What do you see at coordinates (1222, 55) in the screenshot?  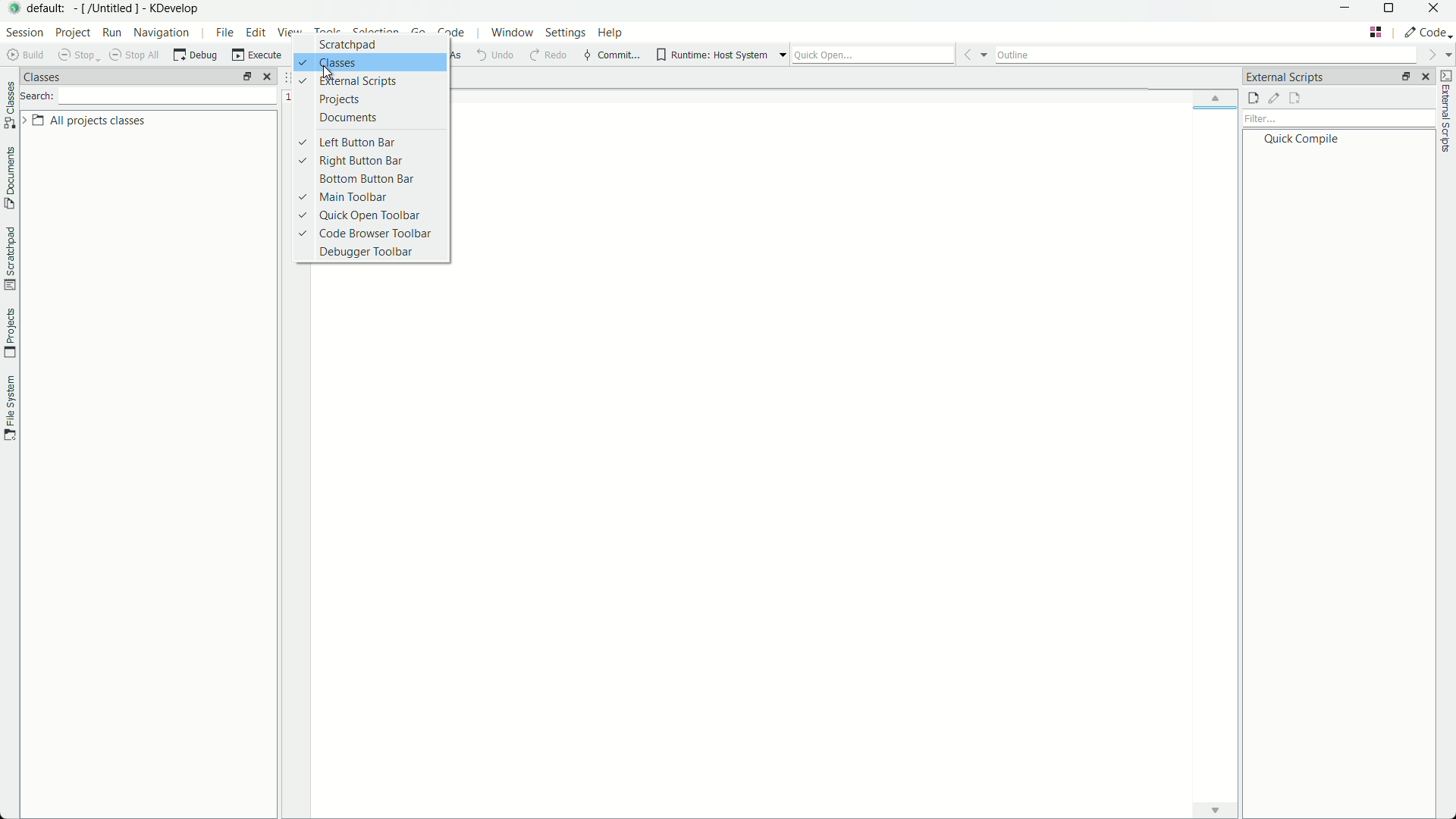 I see `outline bar` at bounding box center [1222, 55].